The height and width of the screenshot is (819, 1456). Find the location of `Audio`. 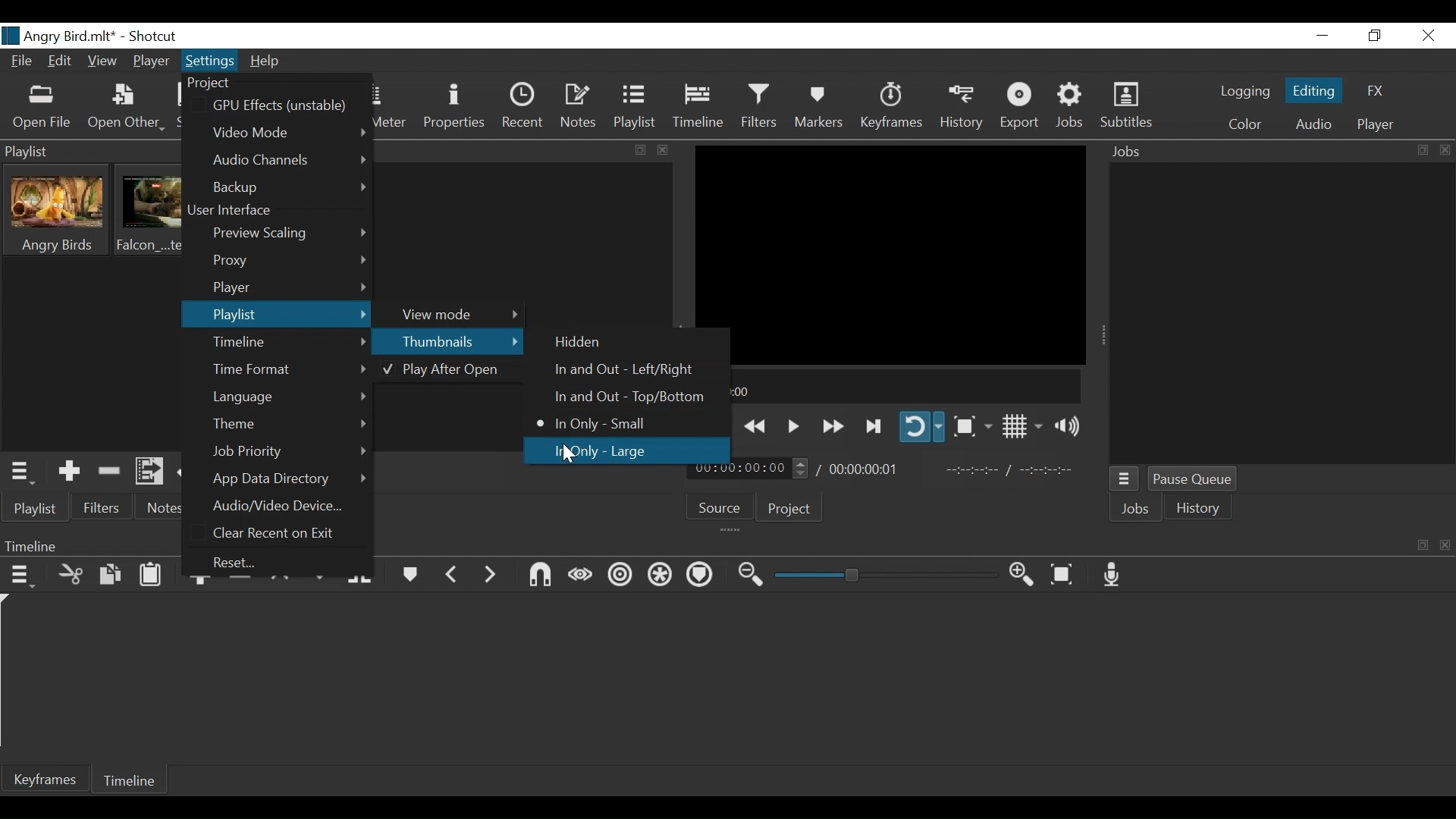

Audio is located at coordinates (1313, 127).